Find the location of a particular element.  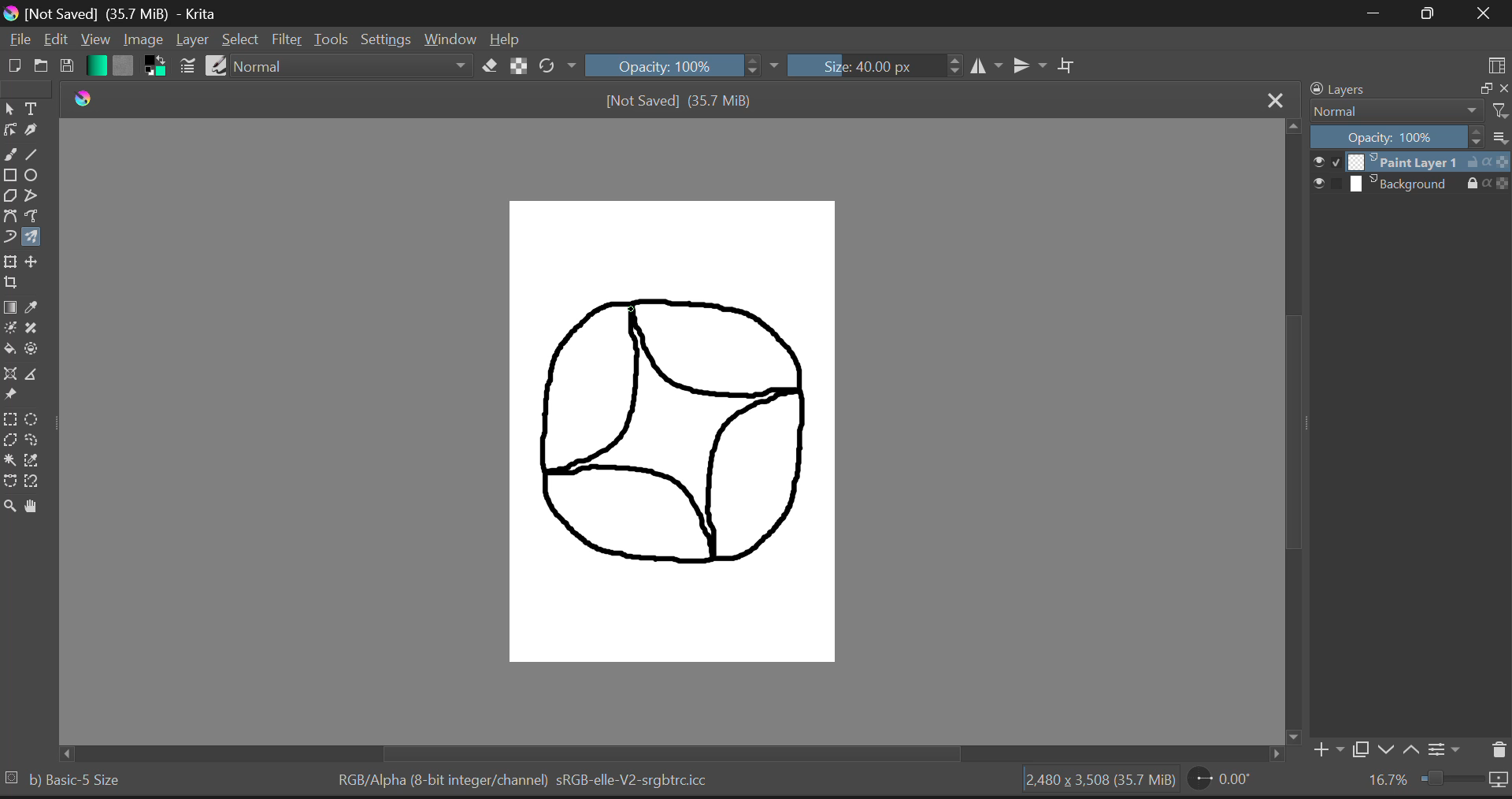

RGB/Alpha (8-bit integer/channel) sRGB-elle-V2-srgbtrc.icc is located at coordinates (528, 780).